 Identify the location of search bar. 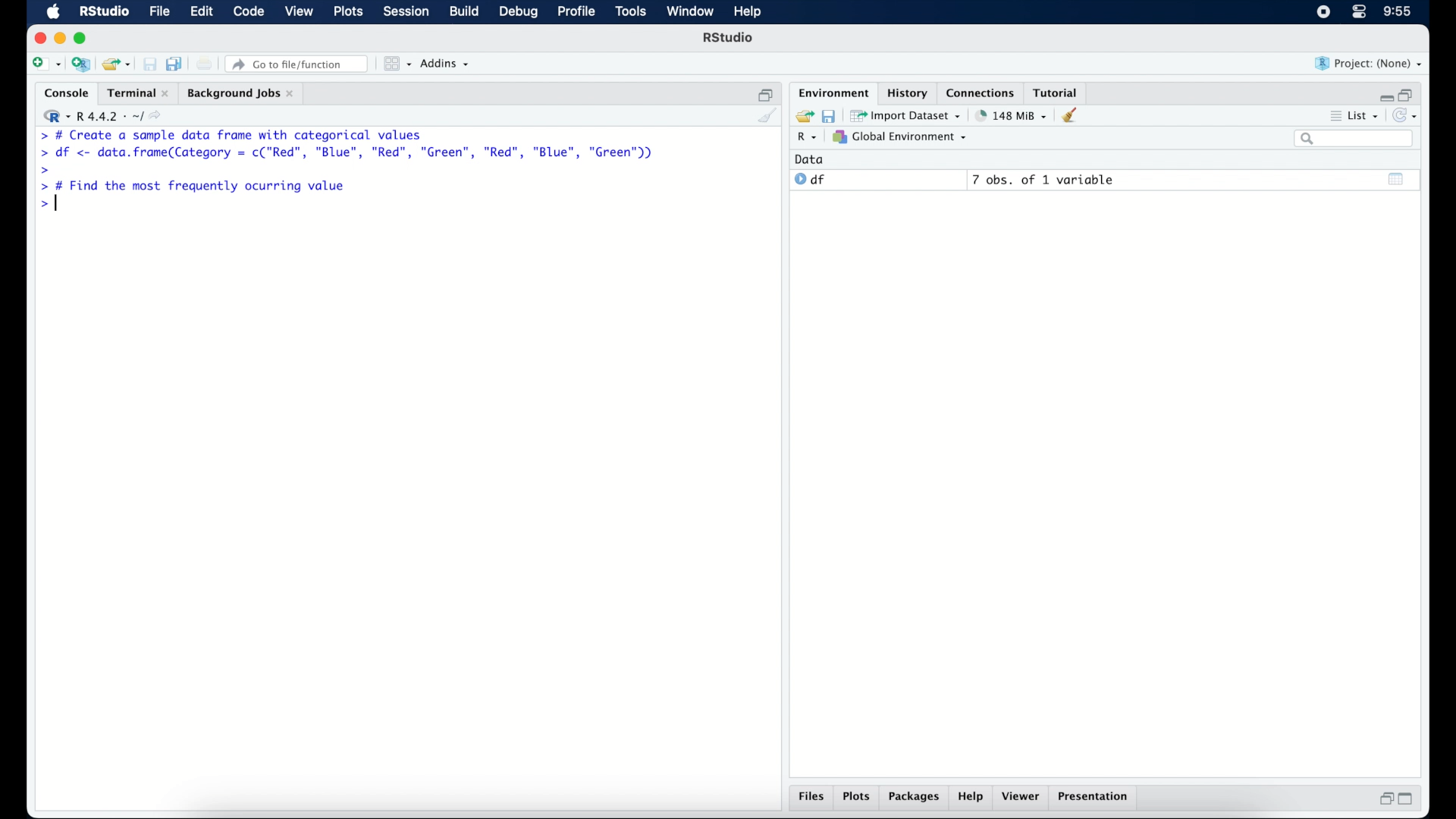
(1355, 140).